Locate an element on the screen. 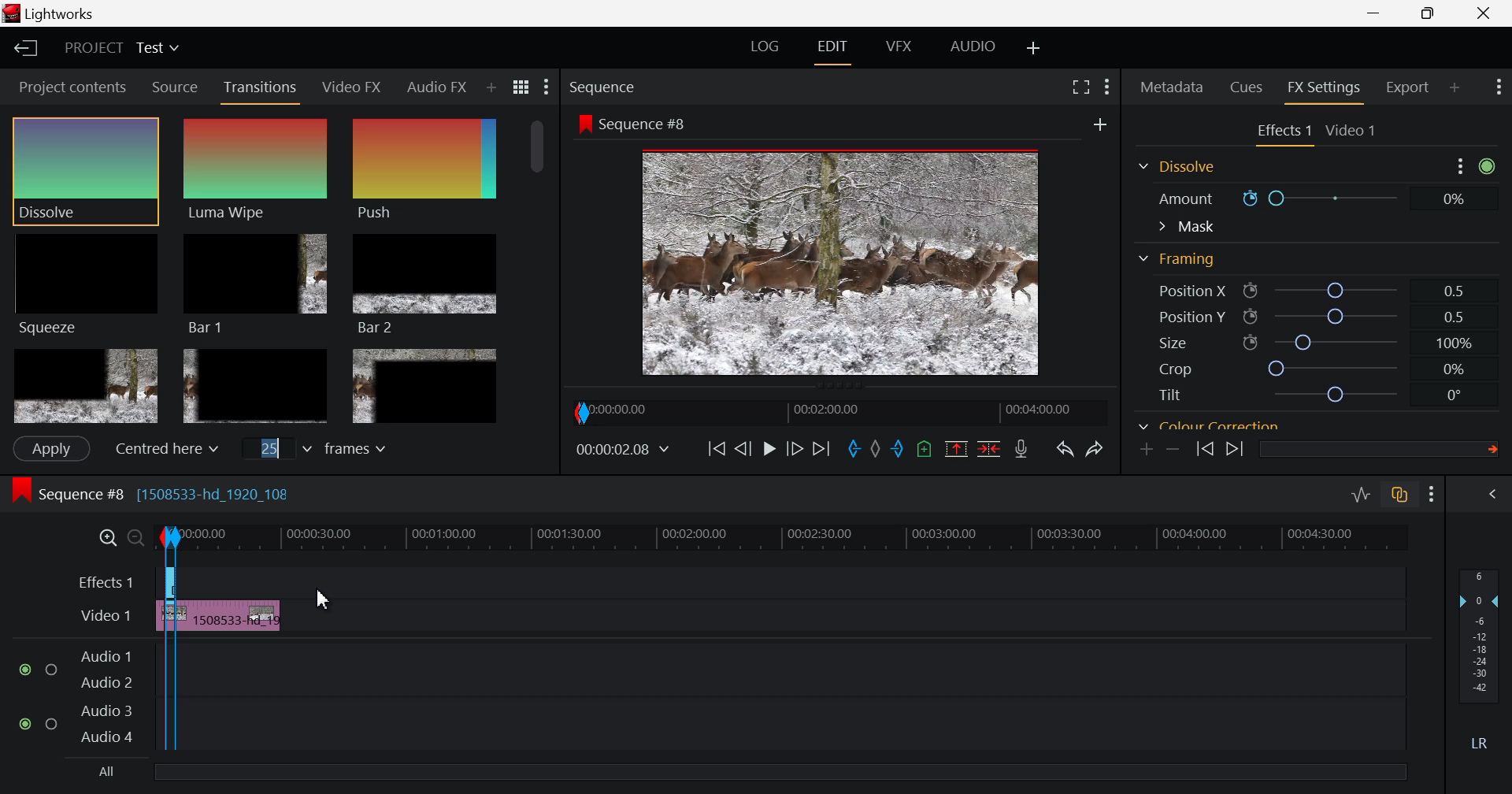 The height and width of the screenshot is (794, 1512). Effects 1 is located at coordinates (98, 578).